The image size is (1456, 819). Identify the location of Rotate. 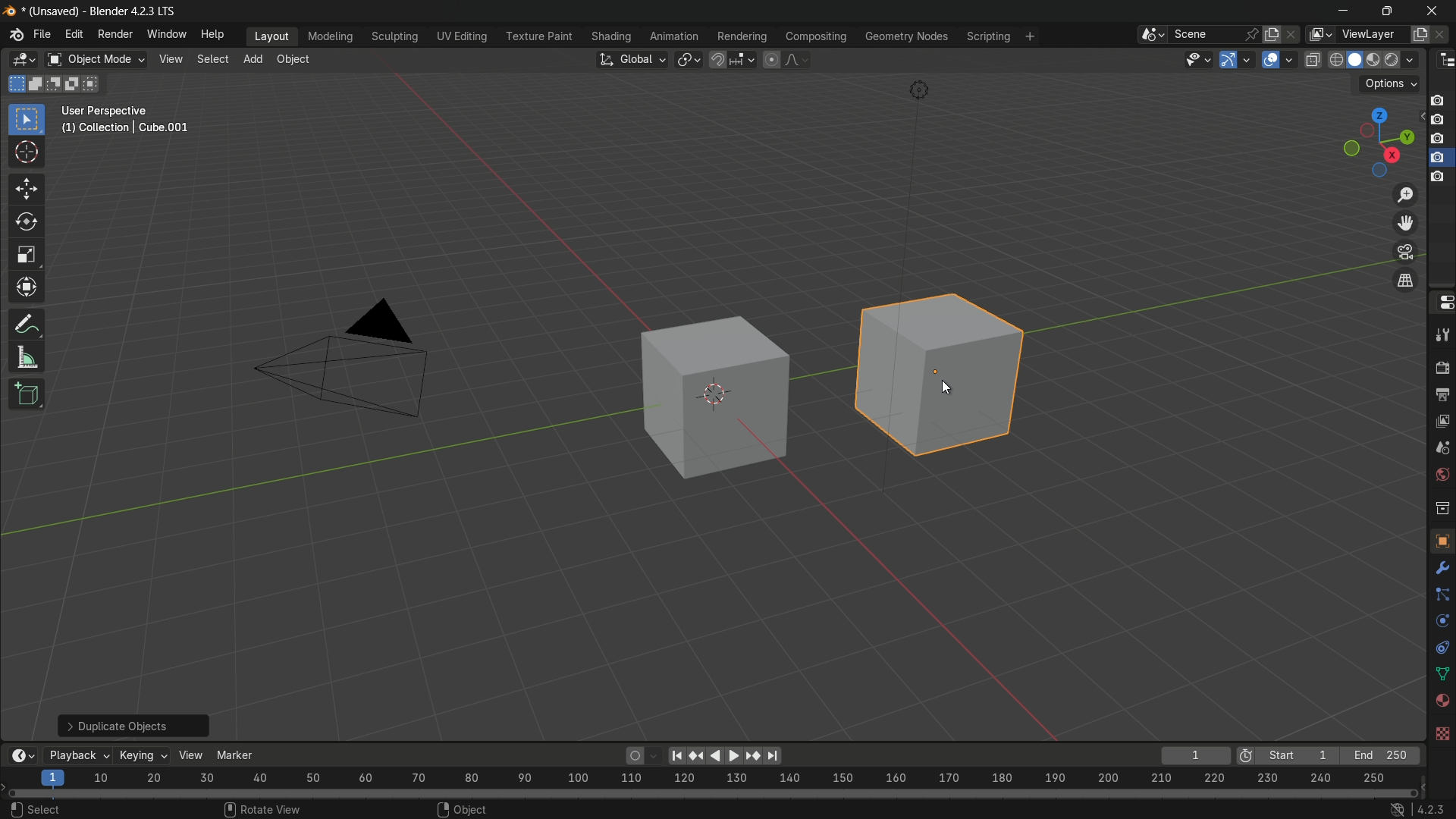
(672, 808).